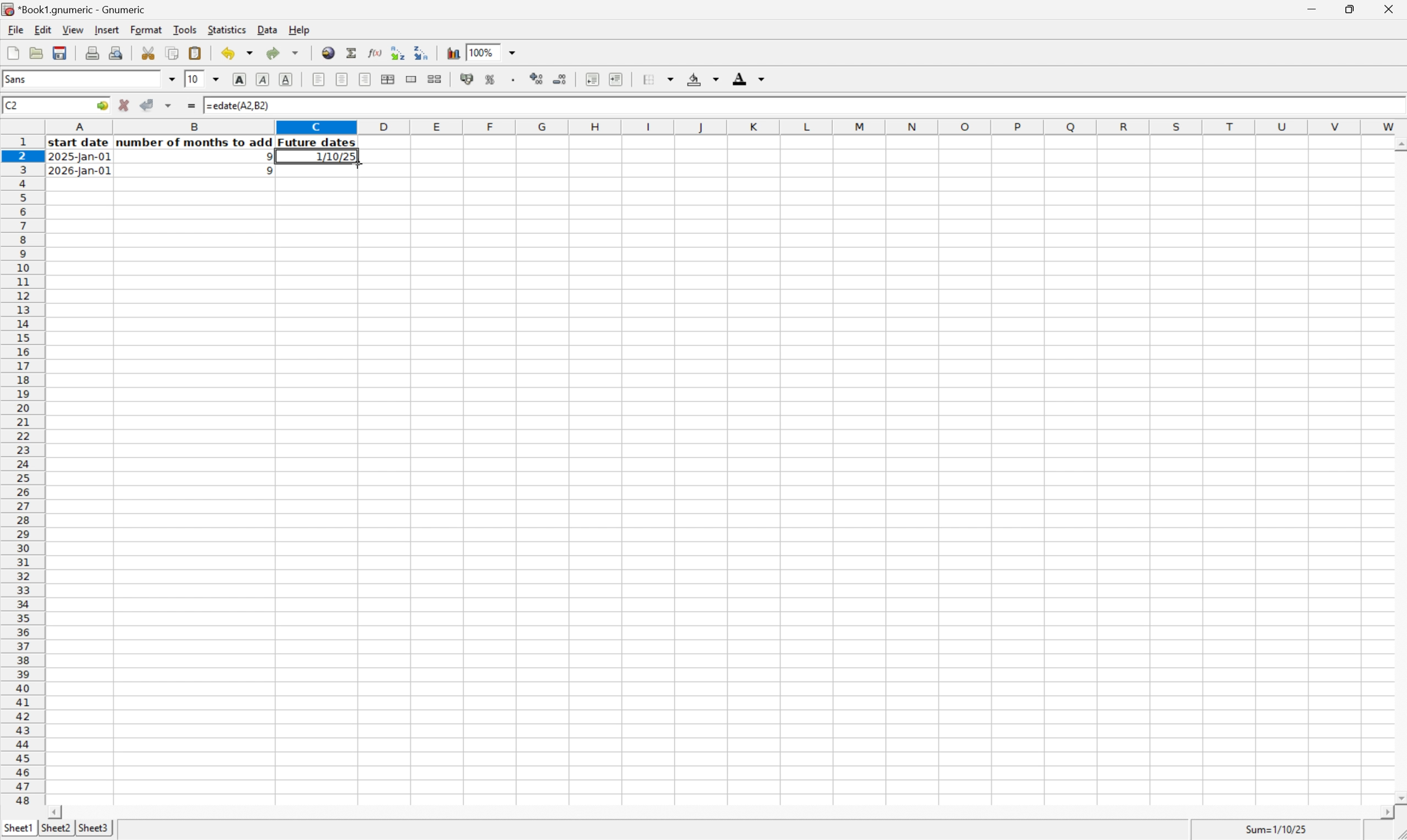 The height and width of the screenshot is (840, 1407). I want to click on View, so click(72, 29).